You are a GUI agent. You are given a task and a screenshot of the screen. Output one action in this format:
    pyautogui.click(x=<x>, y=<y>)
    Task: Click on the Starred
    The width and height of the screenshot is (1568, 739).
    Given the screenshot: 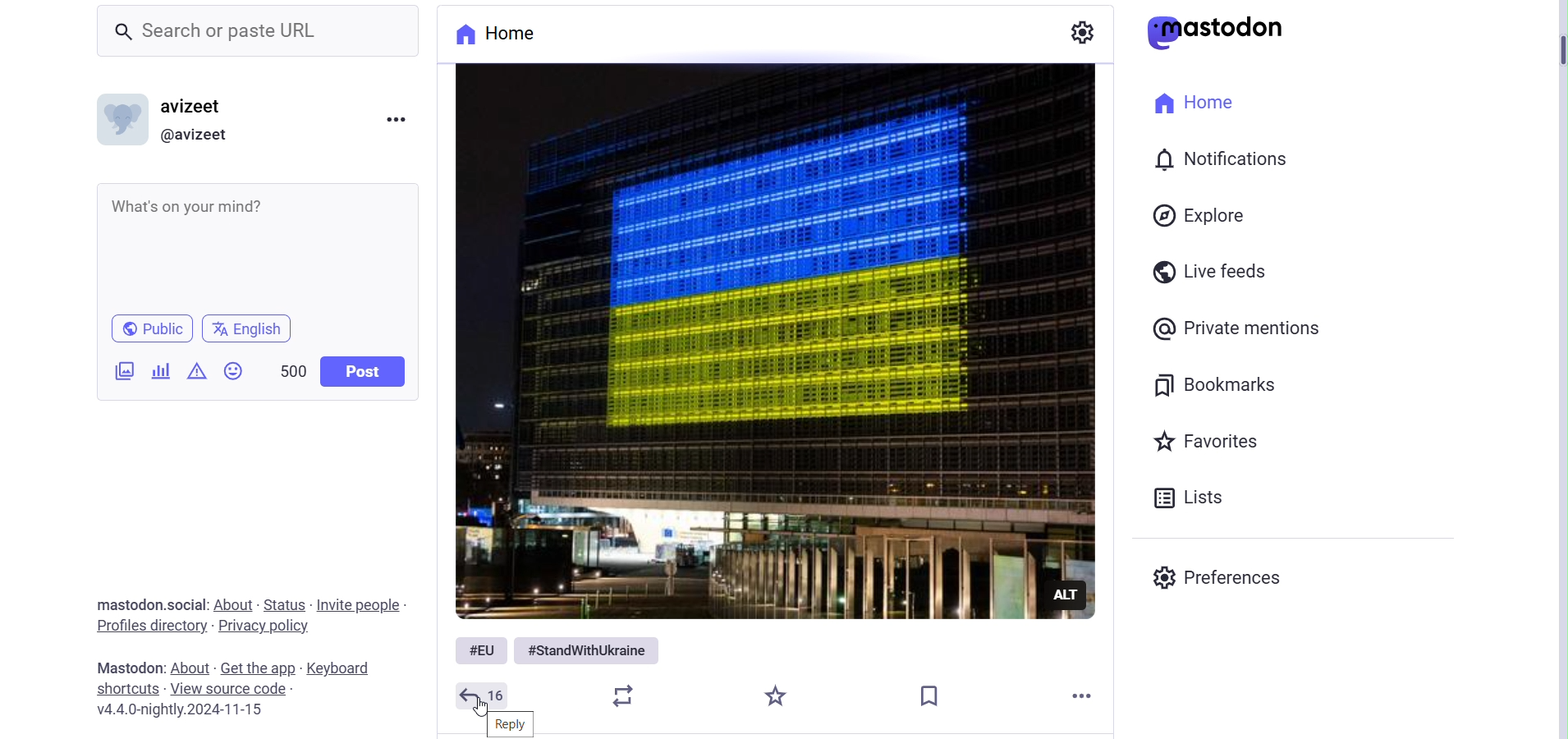 What is the action you would take?
    pyautogui.click(x=777, y=698)
    